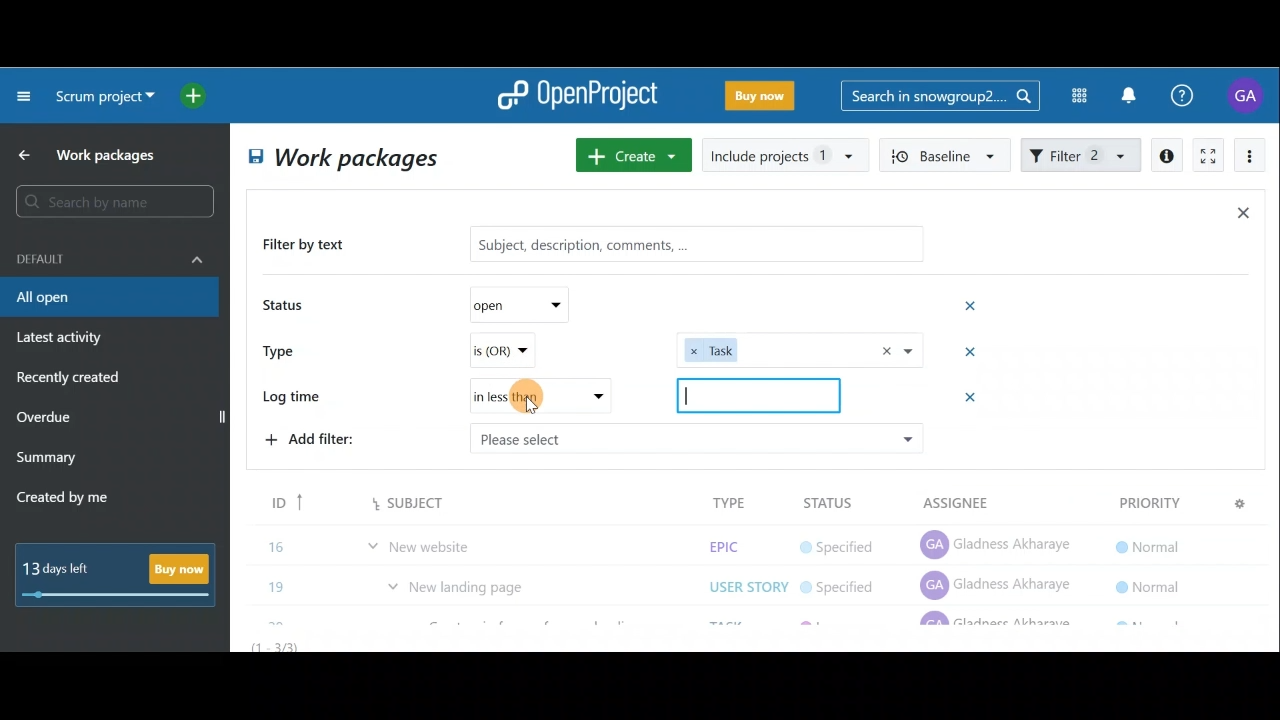 The height and width of the screenshot is (720, 1280). Describe the element at coordinates (722, 501) in the screenshot. I see `epic` at that location.